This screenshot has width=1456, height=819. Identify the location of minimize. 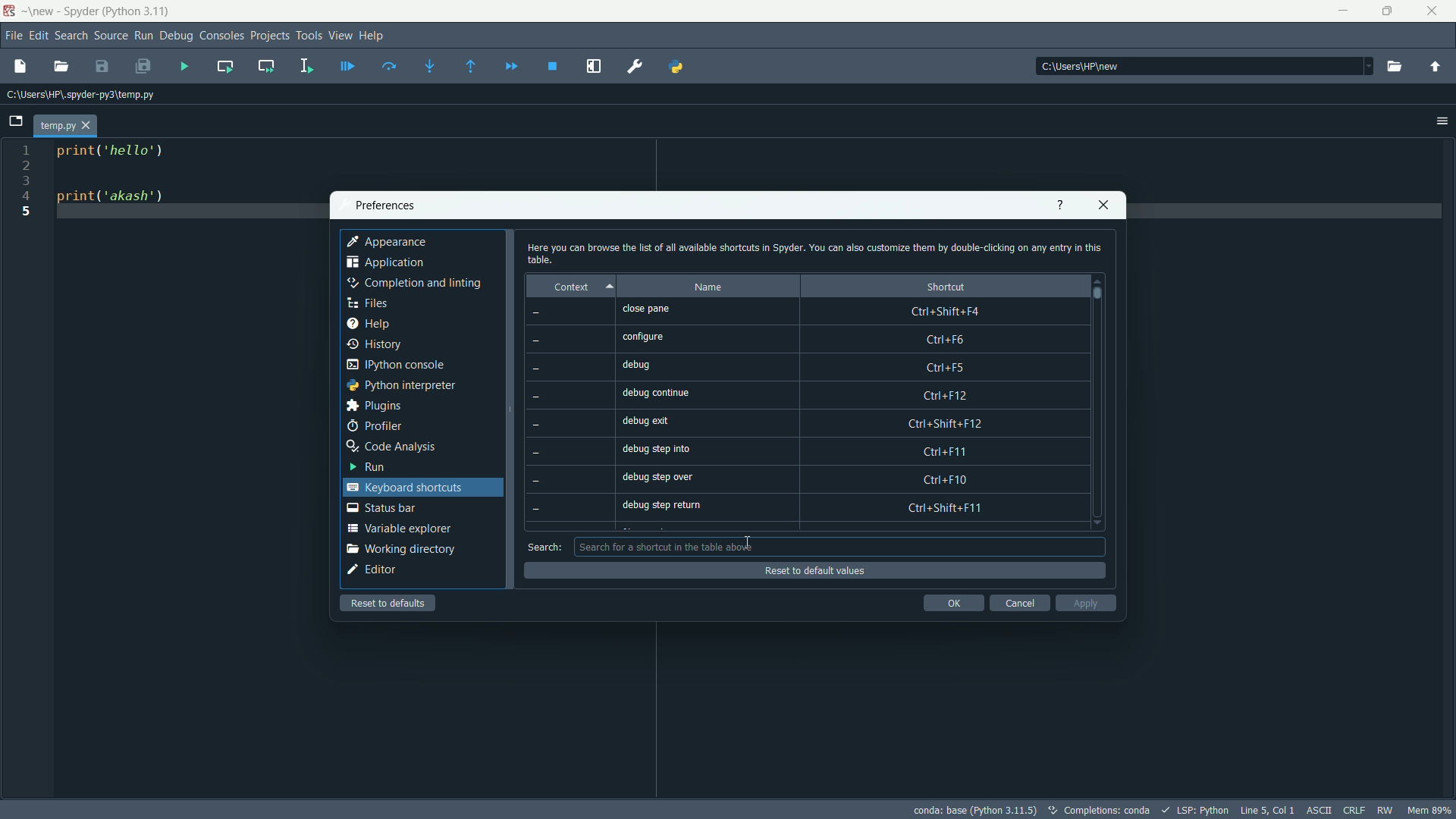
(1341, 9).